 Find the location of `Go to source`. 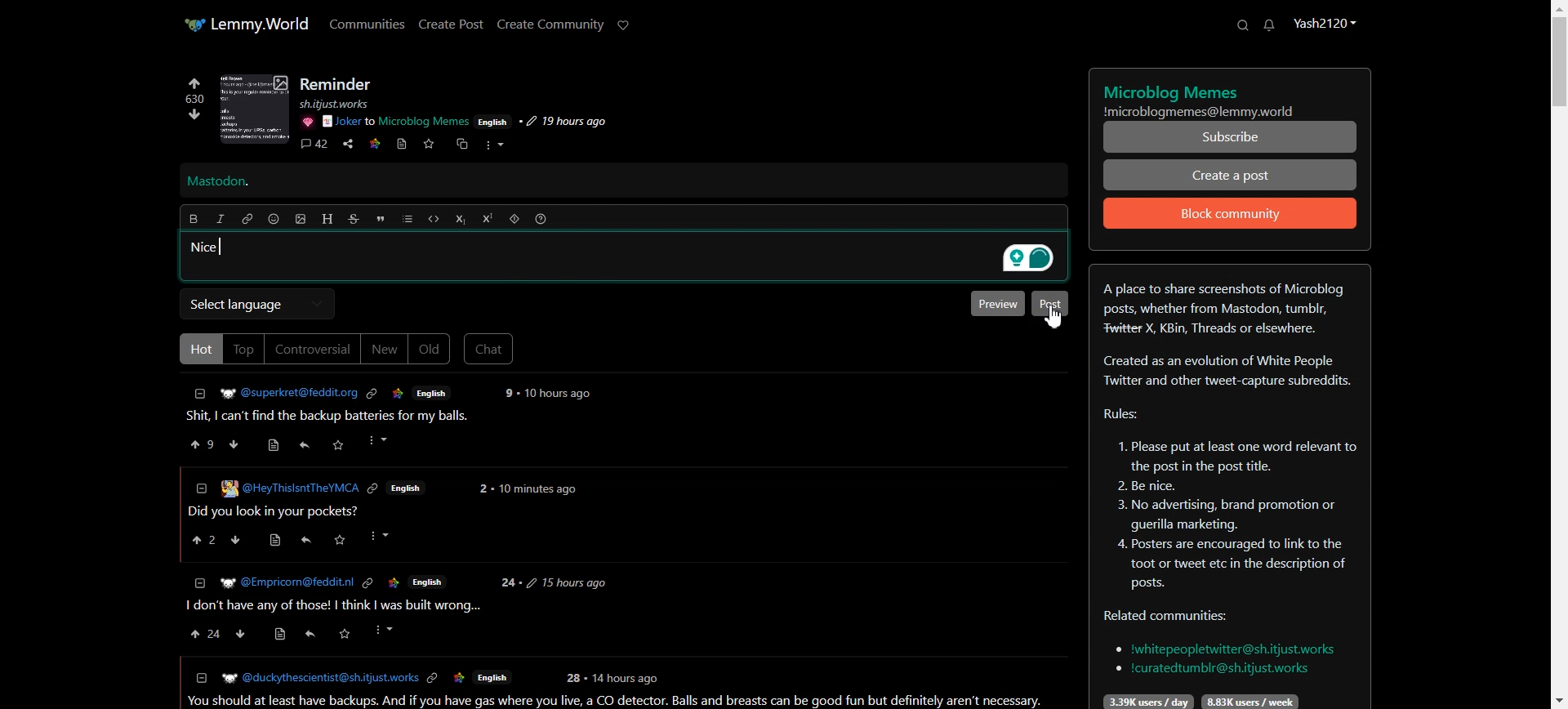

Go to source is located at coordinates (403, 144).